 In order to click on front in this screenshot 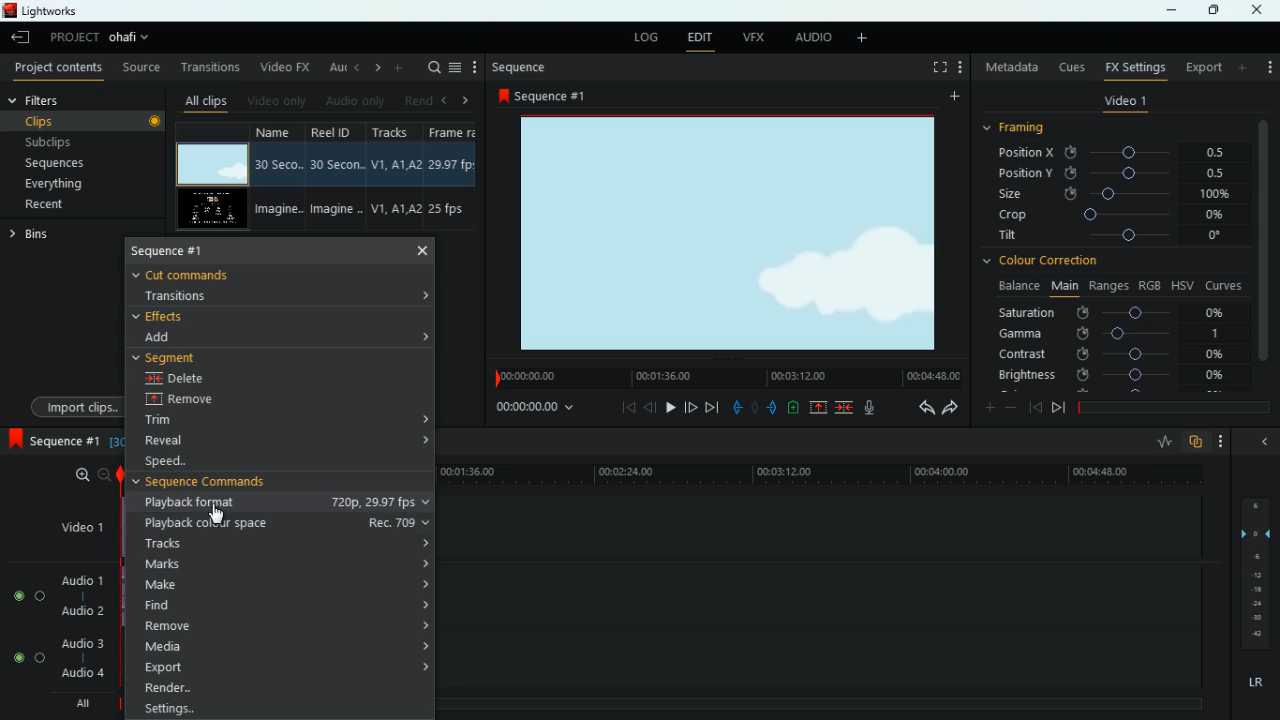, I will do `click(1058, 409)`.